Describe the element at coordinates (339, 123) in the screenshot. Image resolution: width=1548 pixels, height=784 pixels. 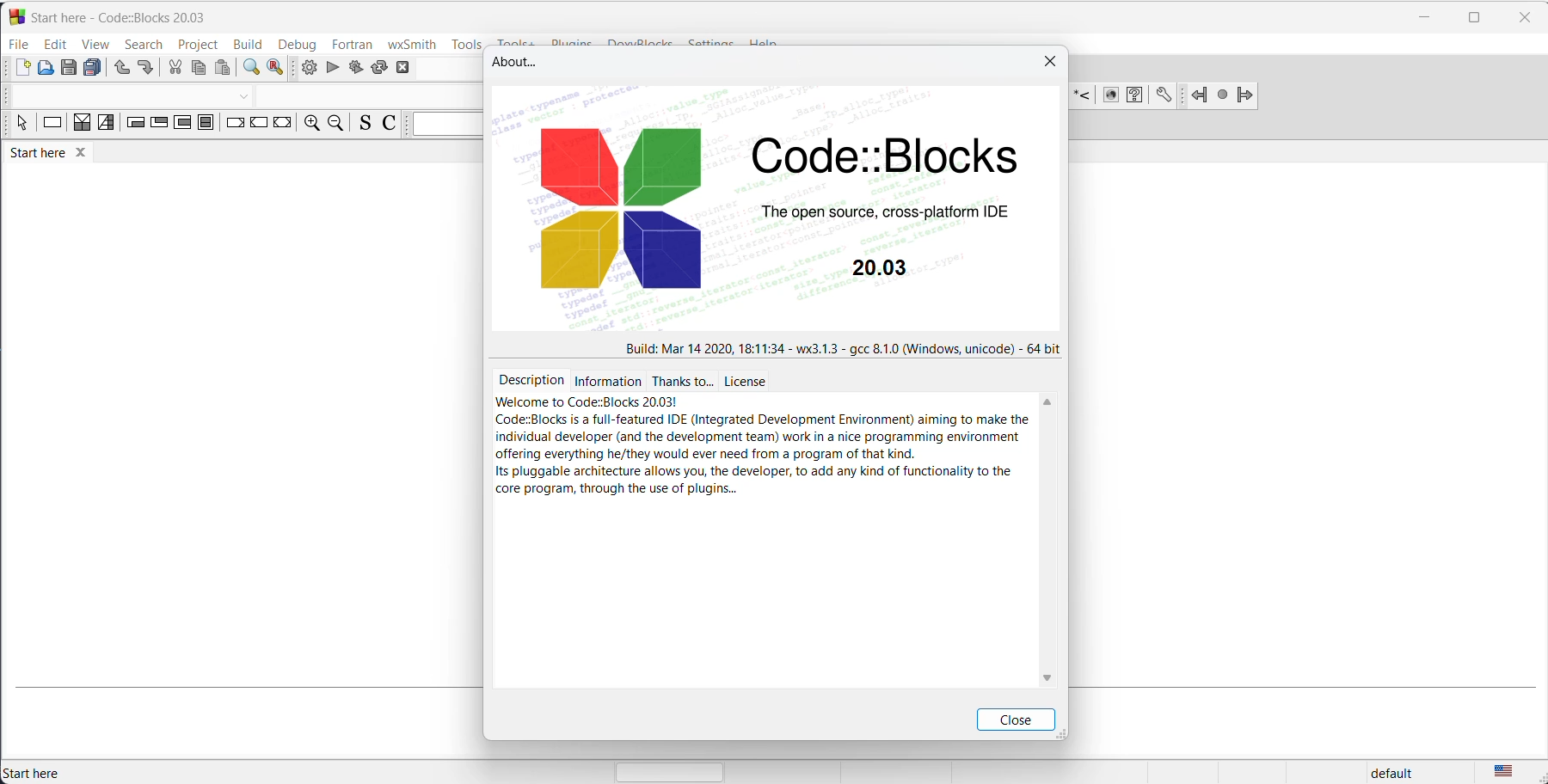
I see `zoom out` at that location.